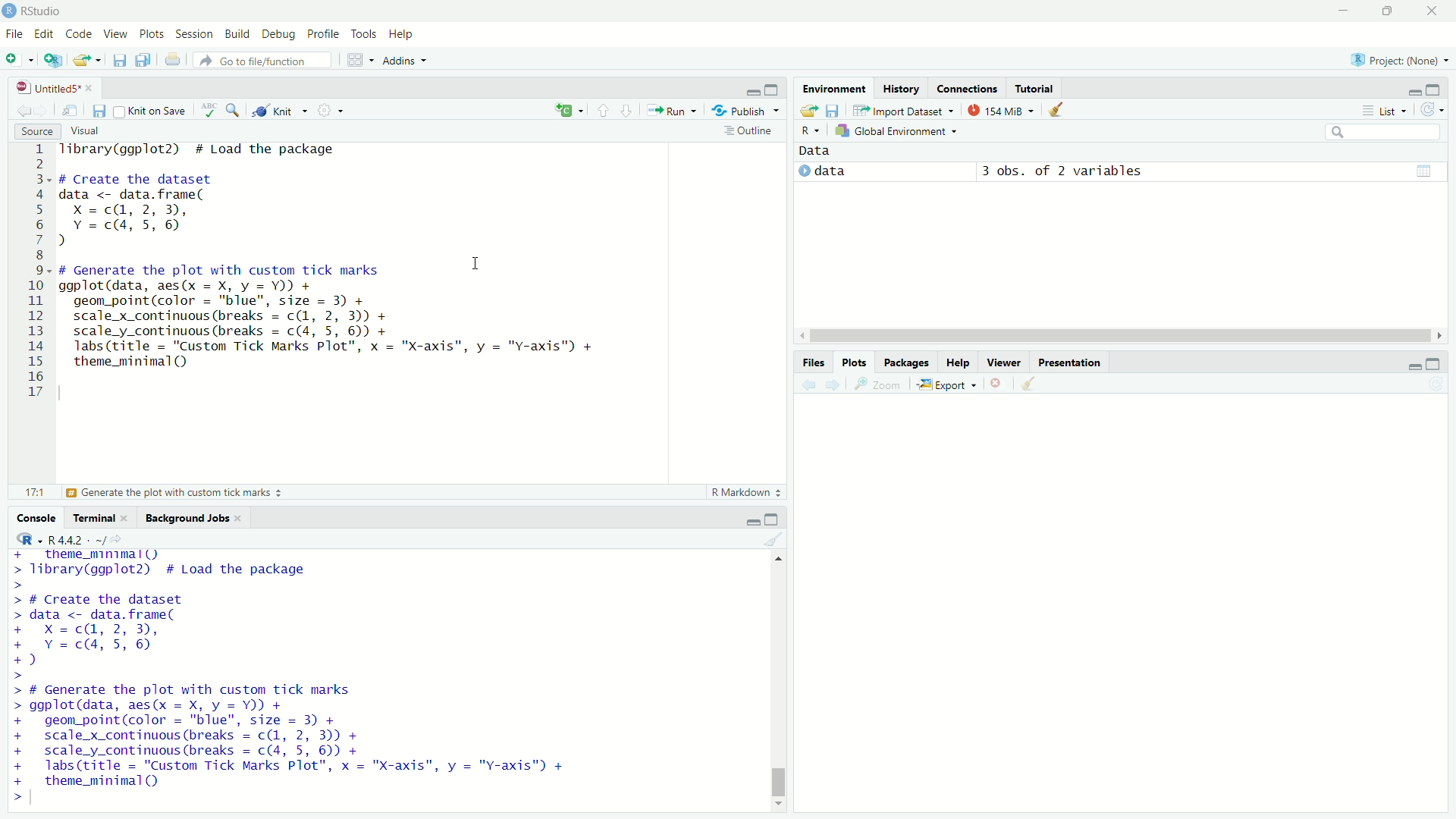  What do you see at coordinates (22, 539) in the screenshot?
I see `select language` at bounding box center [22, 539].